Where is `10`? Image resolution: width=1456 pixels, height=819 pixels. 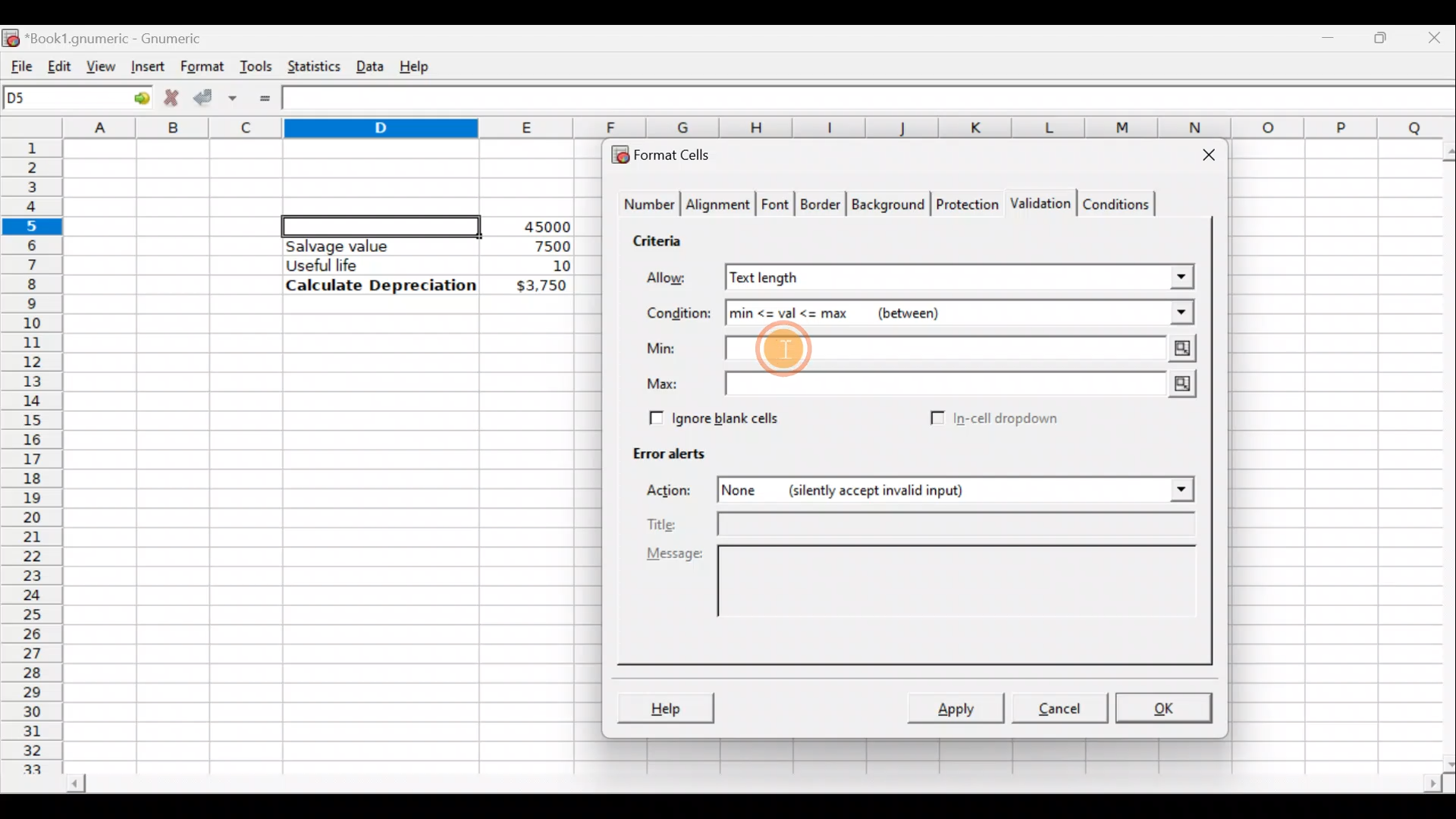 10 is located at coordinates (543, 266).